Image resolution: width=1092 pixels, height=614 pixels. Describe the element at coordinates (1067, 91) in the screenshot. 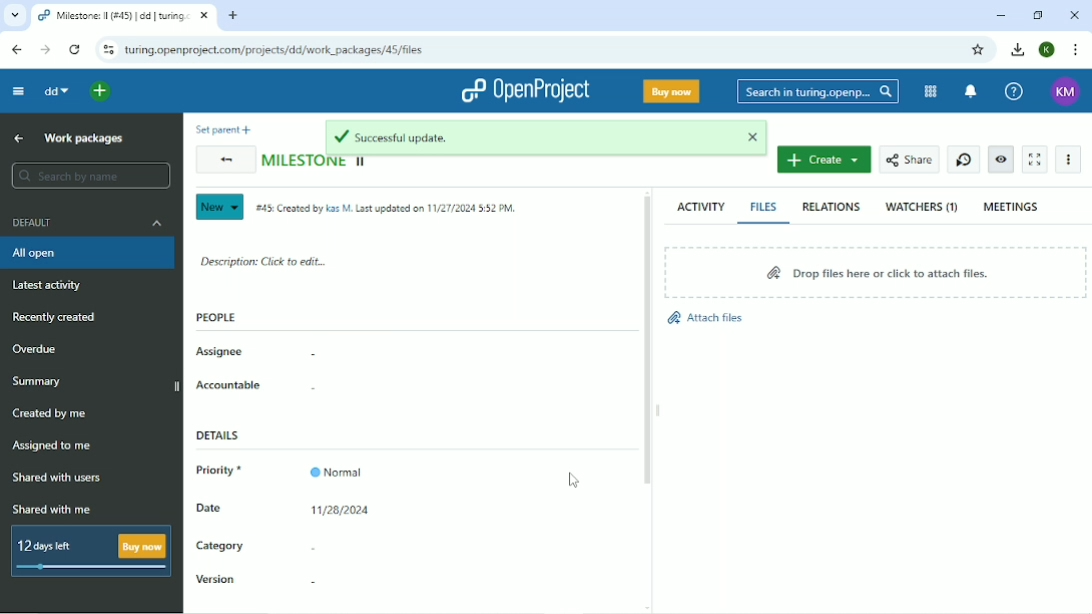

I see `KM` at that location.